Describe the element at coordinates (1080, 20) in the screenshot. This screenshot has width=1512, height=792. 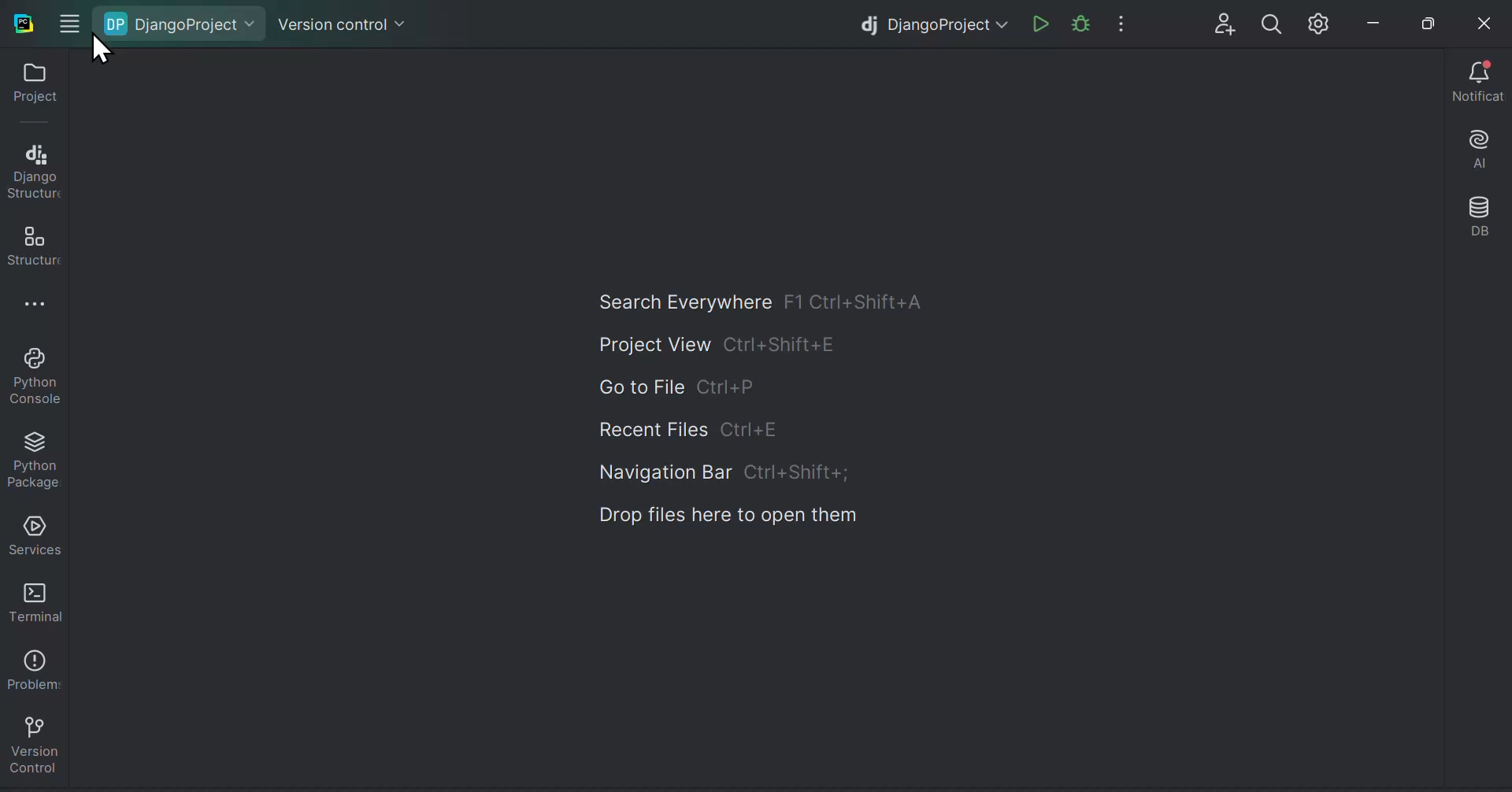
I see `The file in the editor is not renewable` at that location.